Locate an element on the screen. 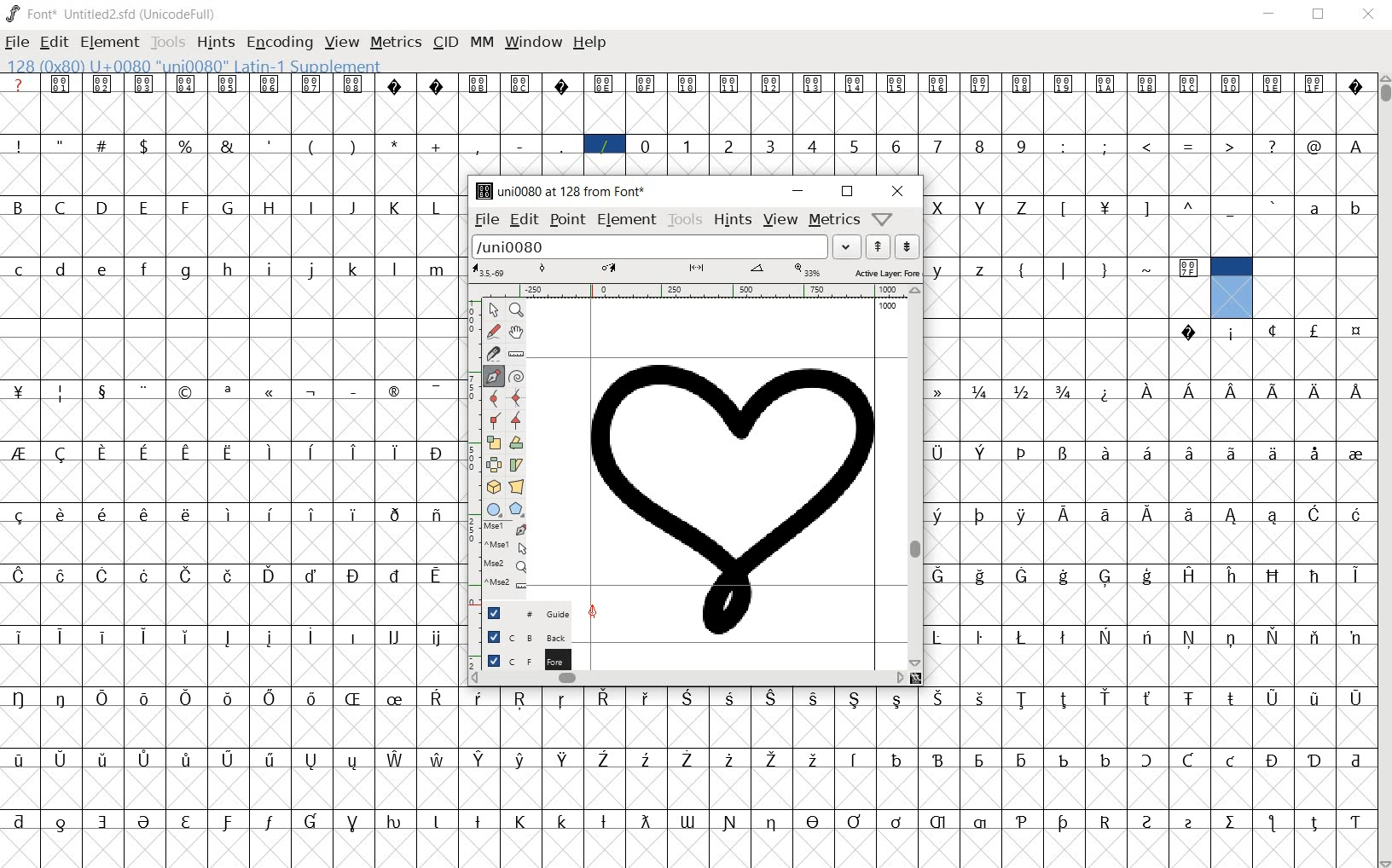  TOOLS is located at coordinates (168, 43).